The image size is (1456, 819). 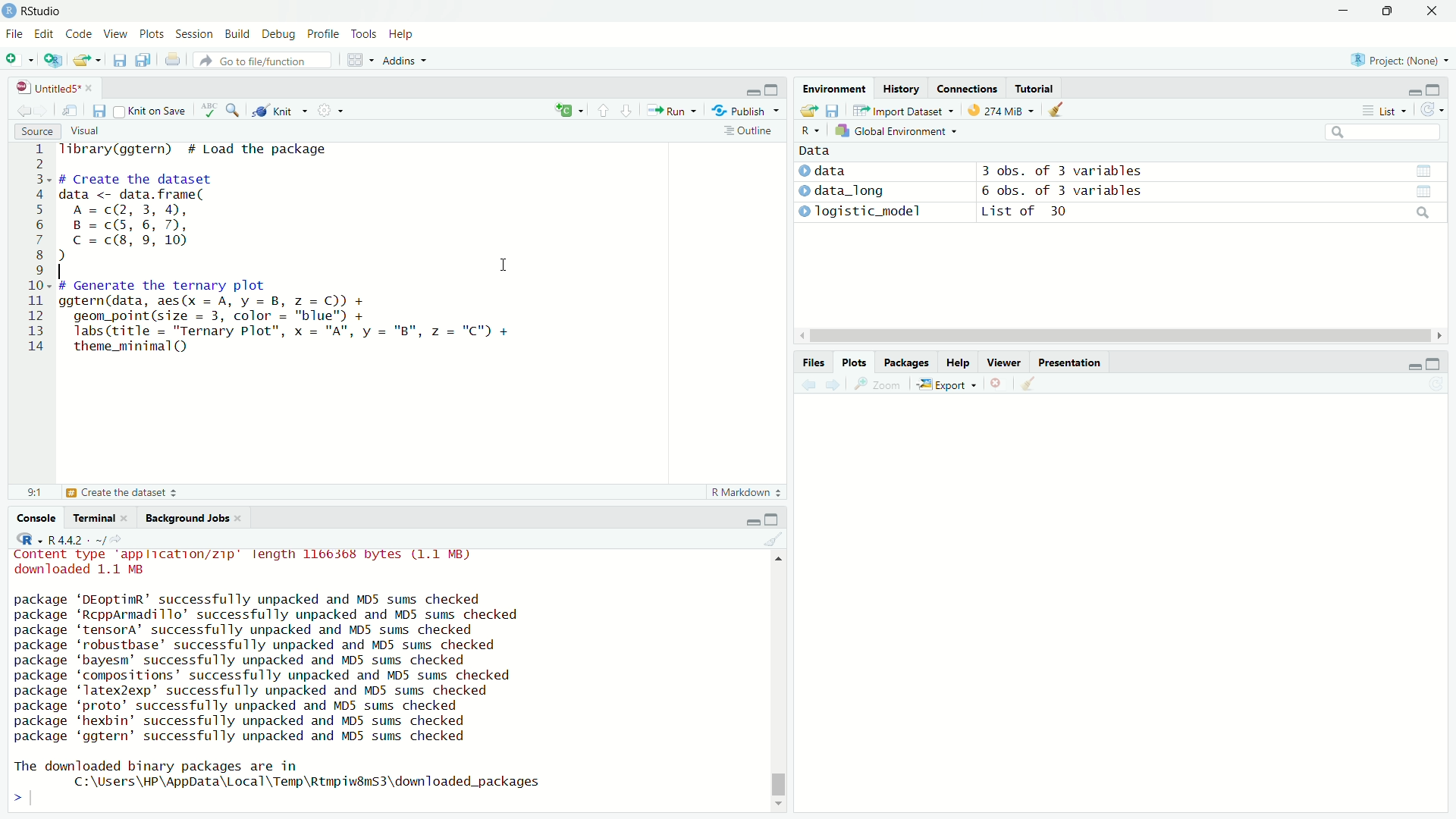 I want to click on Session, so click(x=193, y=36).